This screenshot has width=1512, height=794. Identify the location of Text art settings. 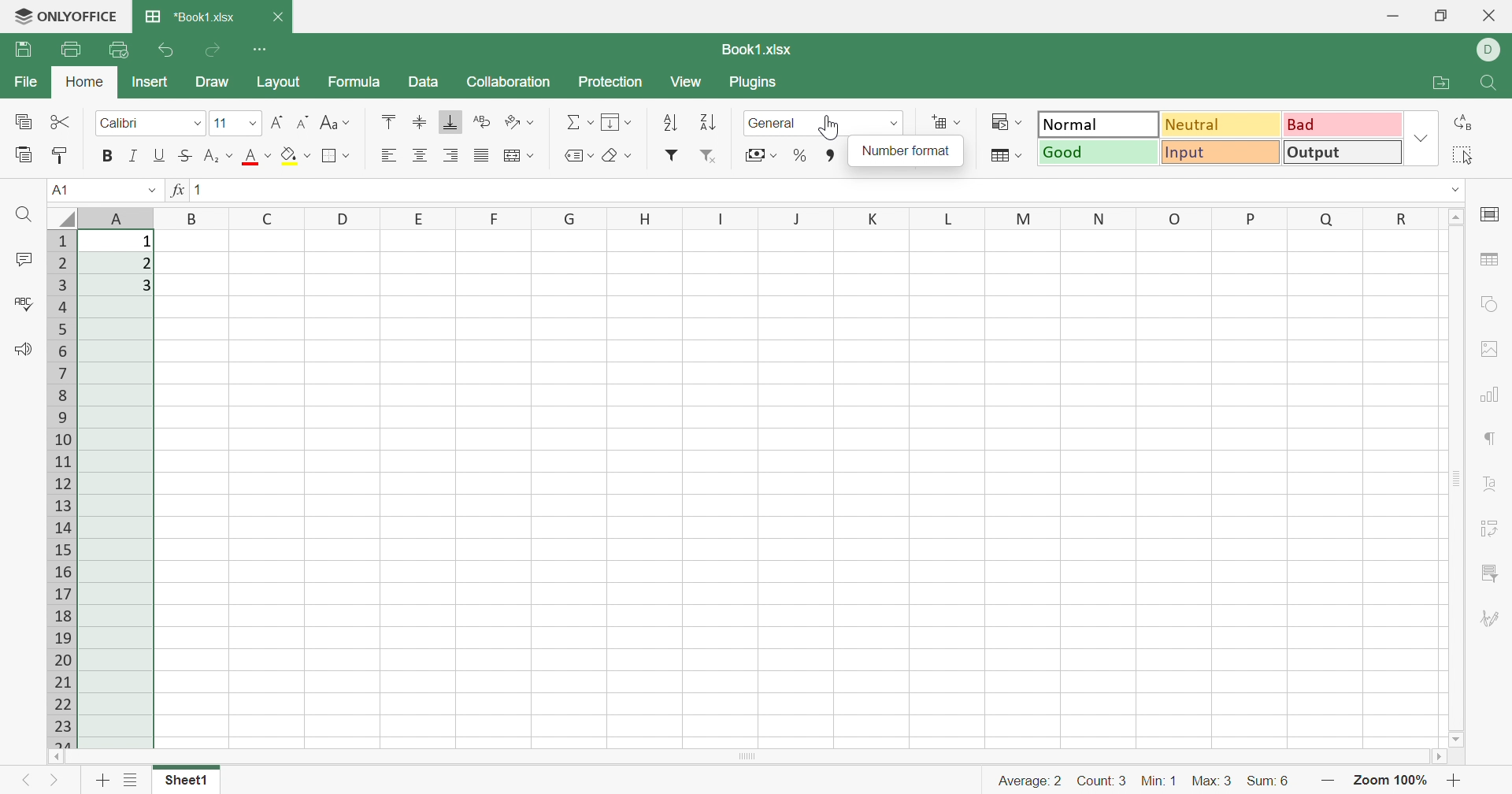
(1493, 484).